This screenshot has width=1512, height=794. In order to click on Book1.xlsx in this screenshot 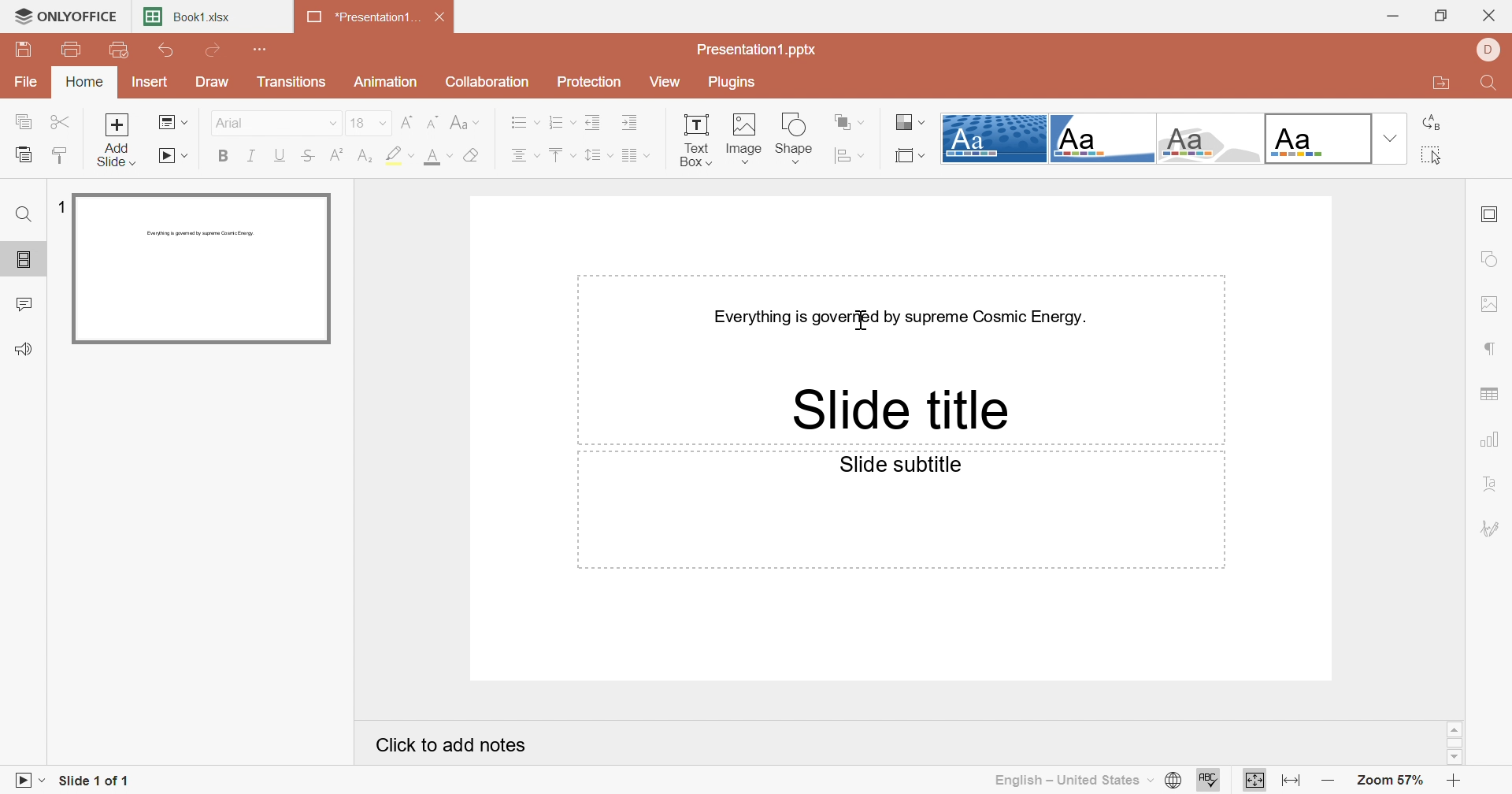, I will do `click(187, 17)`.